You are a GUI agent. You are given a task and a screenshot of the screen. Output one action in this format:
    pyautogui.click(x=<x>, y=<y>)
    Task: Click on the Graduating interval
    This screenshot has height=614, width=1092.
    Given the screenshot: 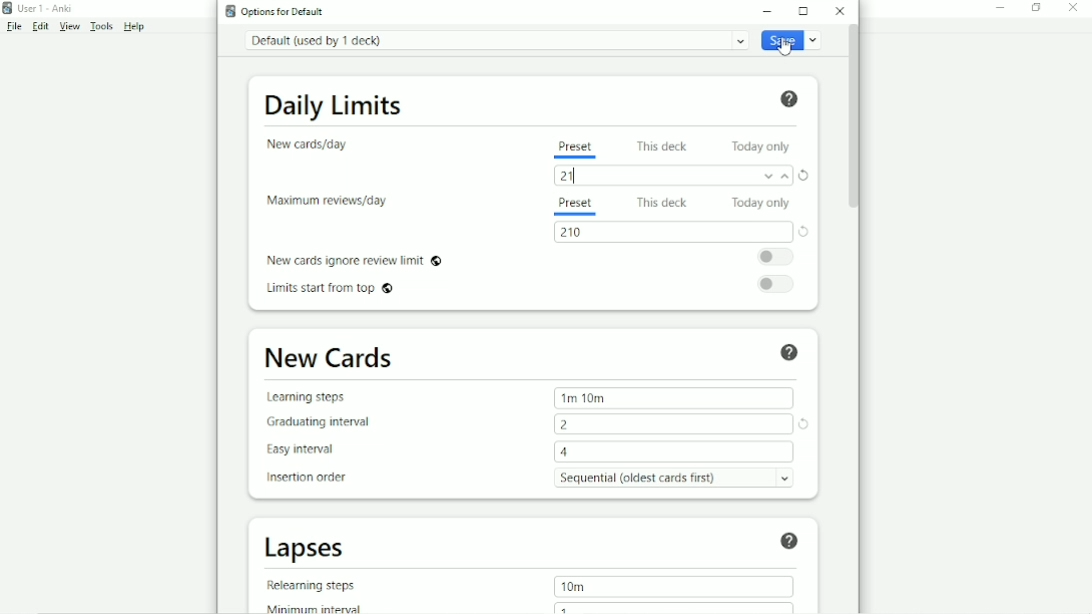 What is the action you would take?
    pyautogui.click(x=320, y=422)
    